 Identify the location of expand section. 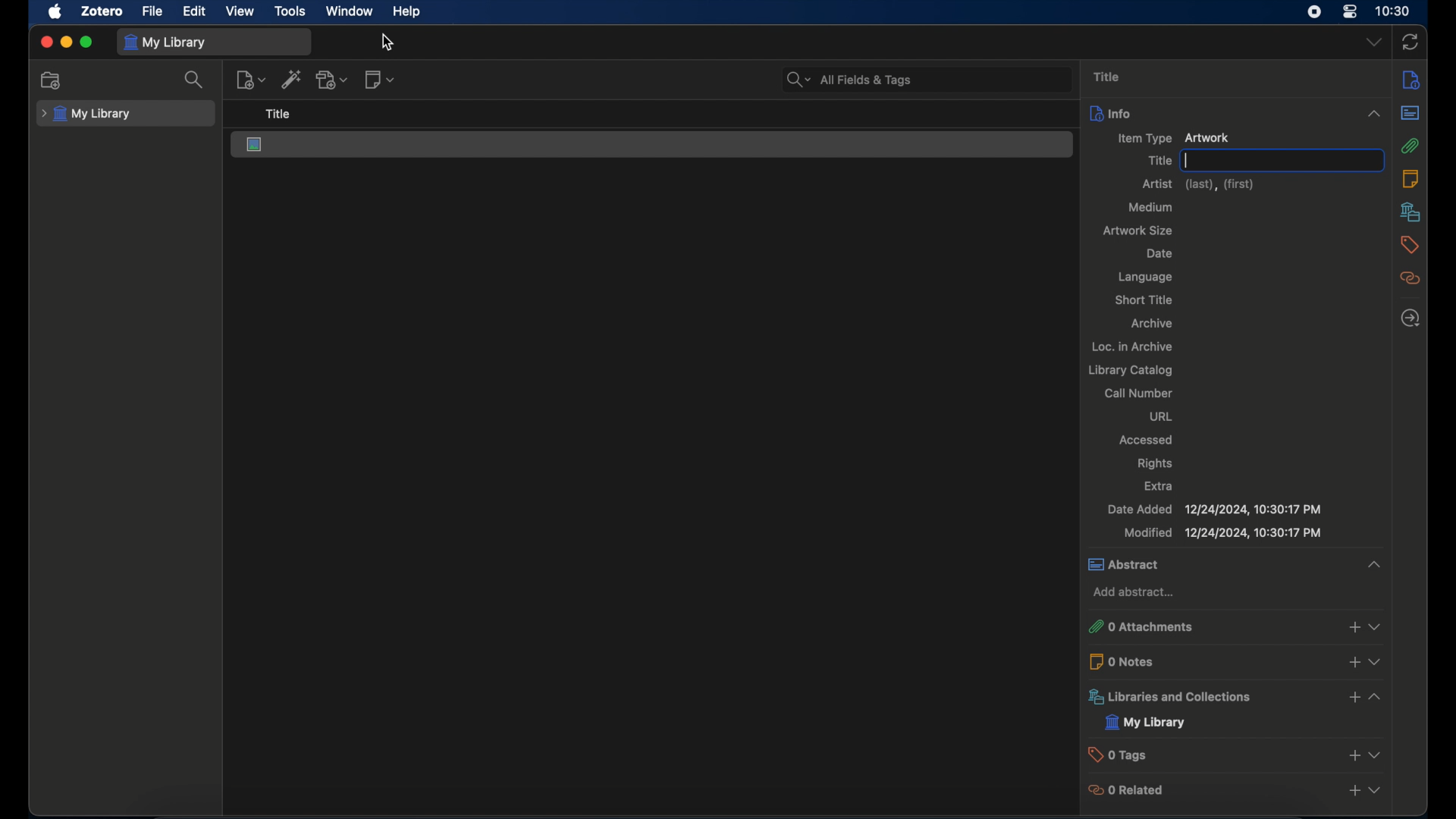
(1380, 626).